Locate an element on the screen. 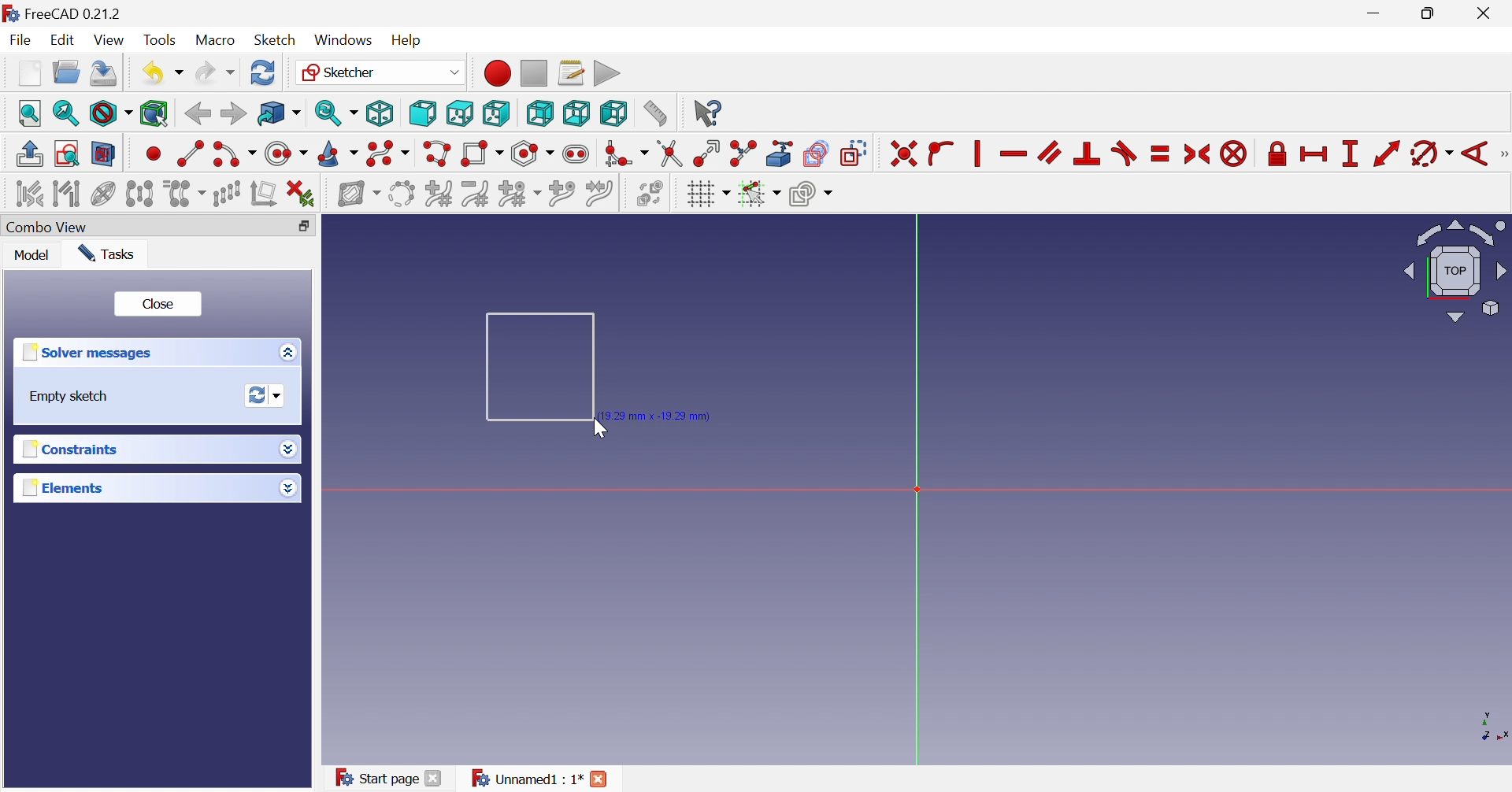  Front is located at coordinates (422, 113).